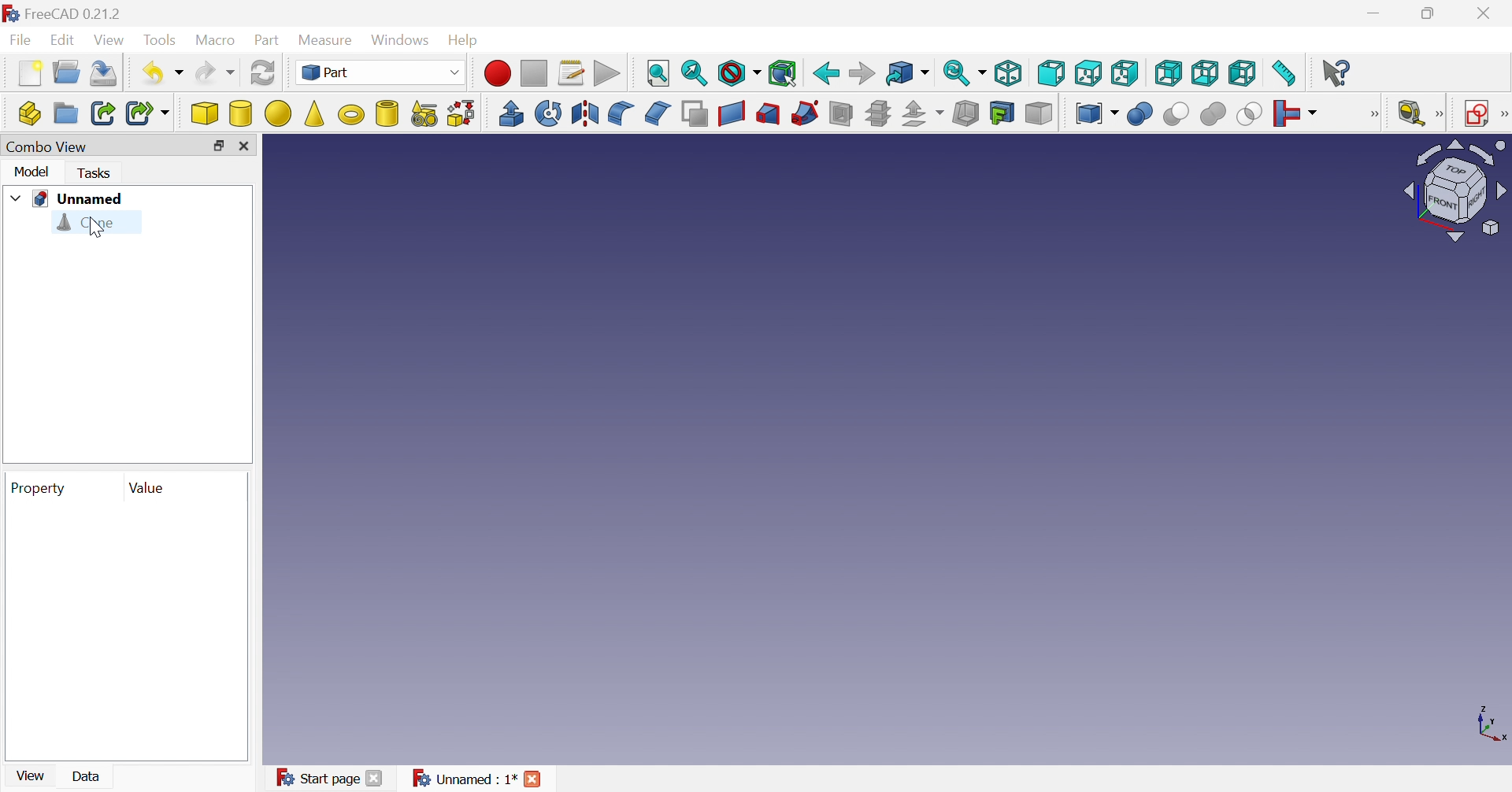 The image size is (1512, 792). I want to click on Compound tools, so click(1094, 113).